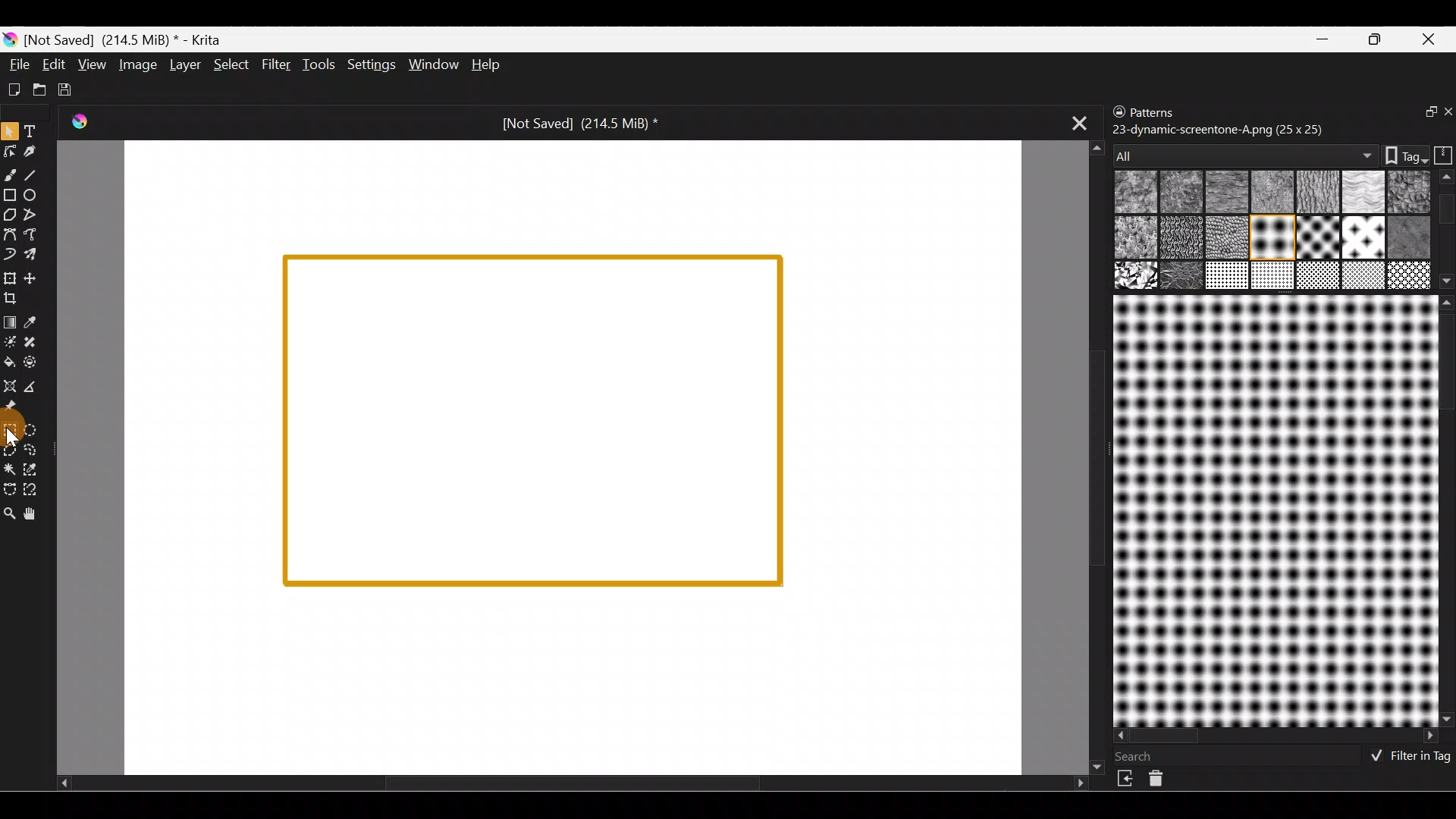  Describe the element at coordinates (37, 87) in the screenshot. I see `Open existing document` at that location.